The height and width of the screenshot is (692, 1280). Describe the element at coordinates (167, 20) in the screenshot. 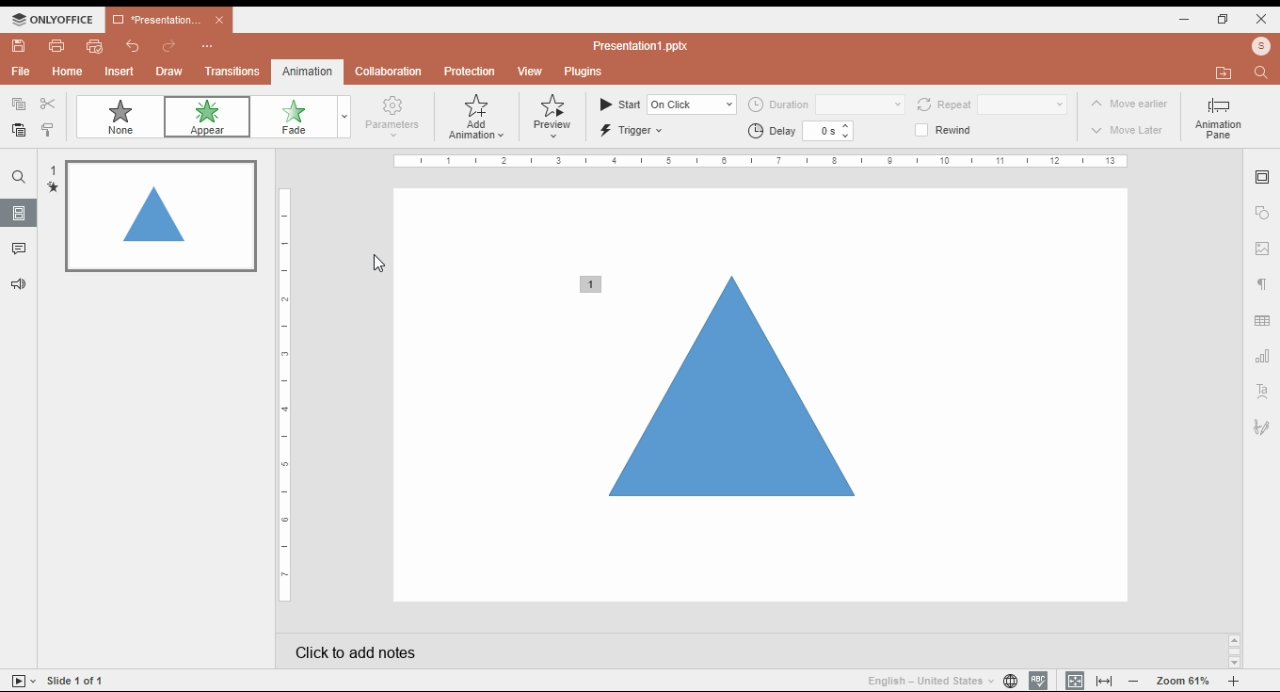

I see `presentation 1` at that location.